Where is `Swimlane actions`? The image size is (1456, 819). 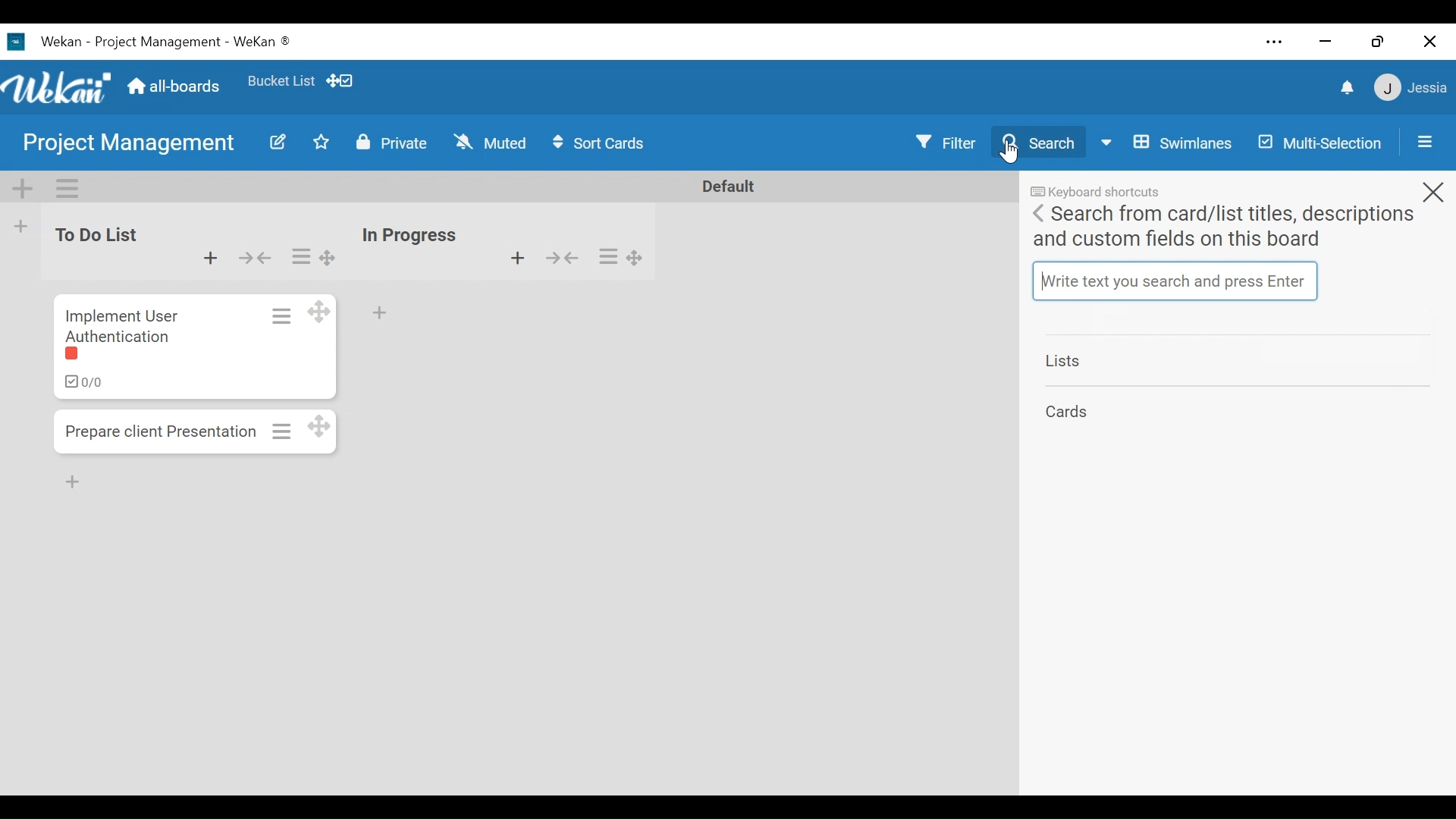 Swimlane actions is located at coordinates (71, 189).